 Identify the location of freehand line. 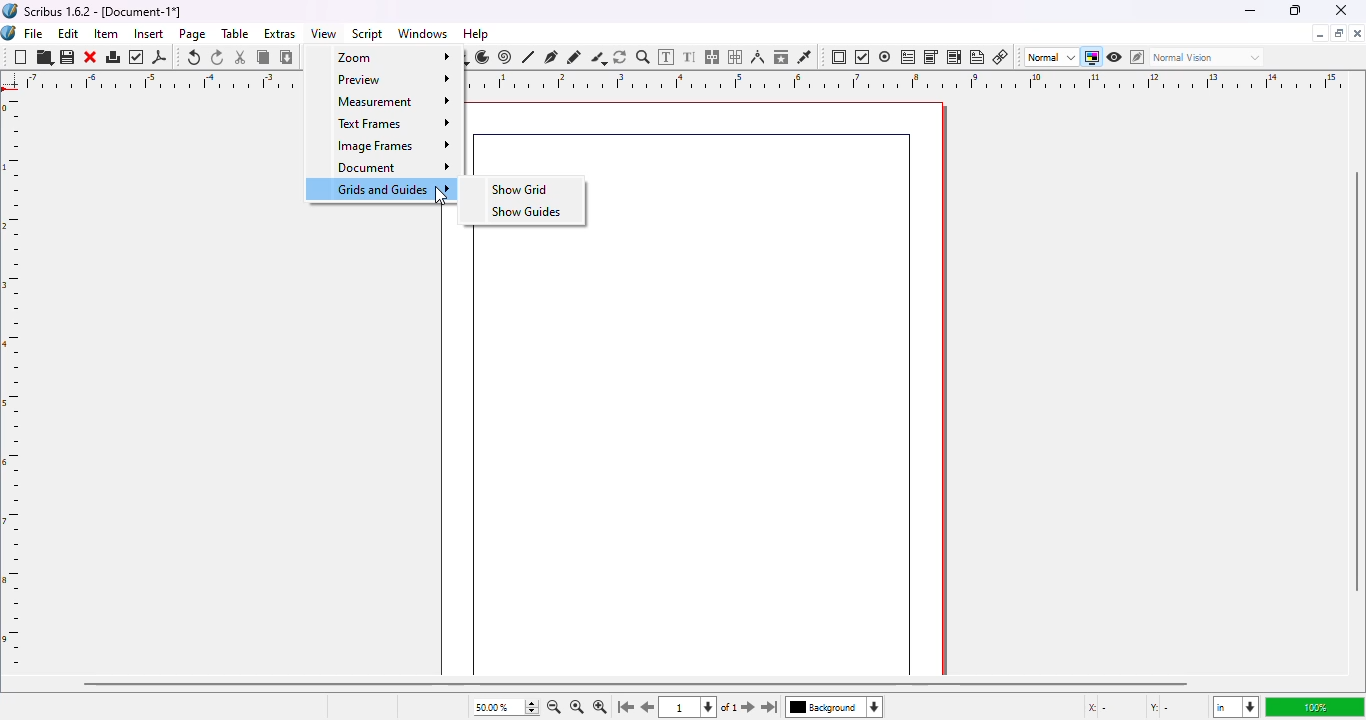
(574, 57).